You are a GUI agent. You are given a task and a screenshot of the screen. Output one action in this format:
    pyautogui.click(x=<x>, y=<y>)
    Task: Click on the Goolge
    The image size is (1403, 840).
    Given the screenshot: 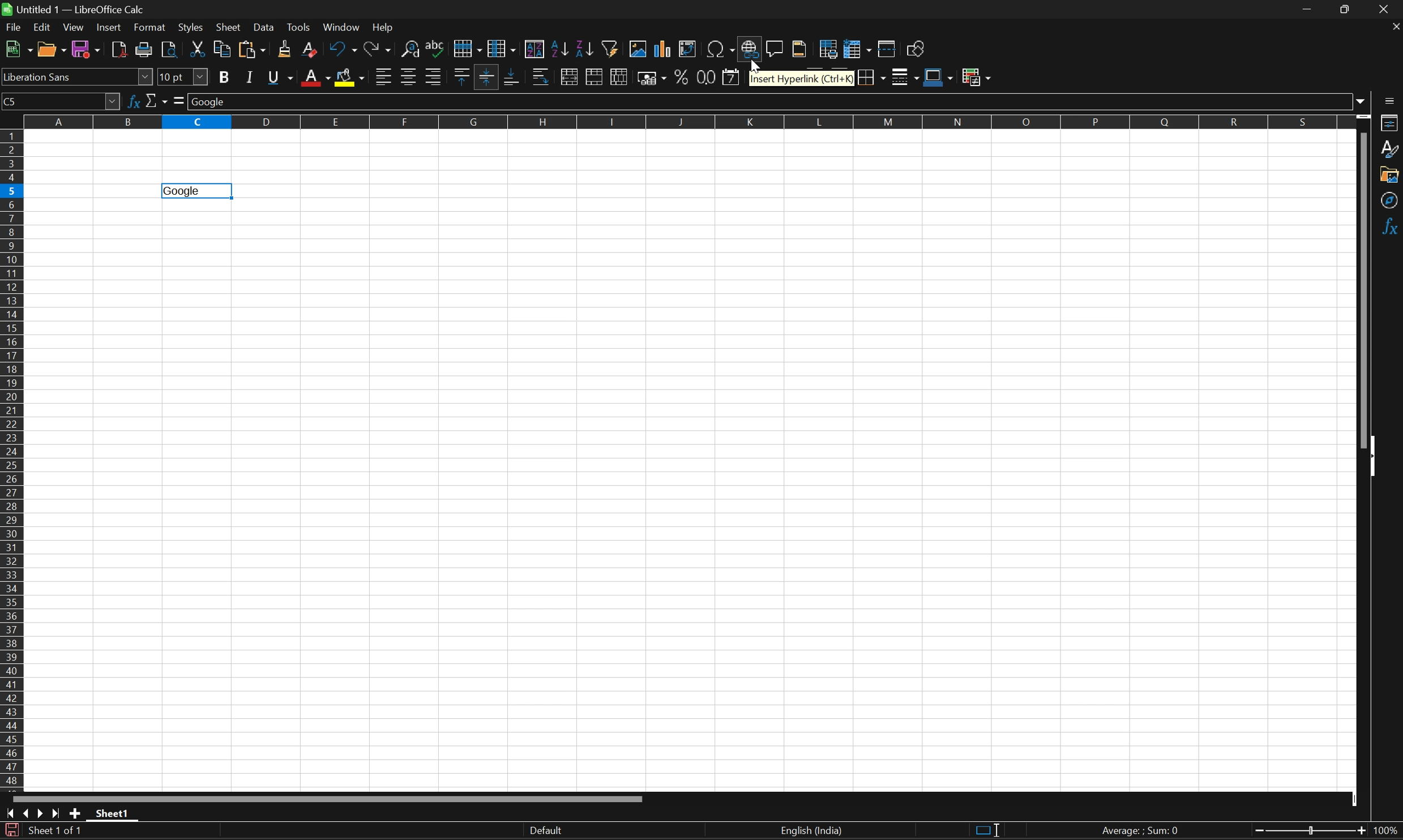 What is the action you would take?
    pyautogui.click(x=181, y=191)
    